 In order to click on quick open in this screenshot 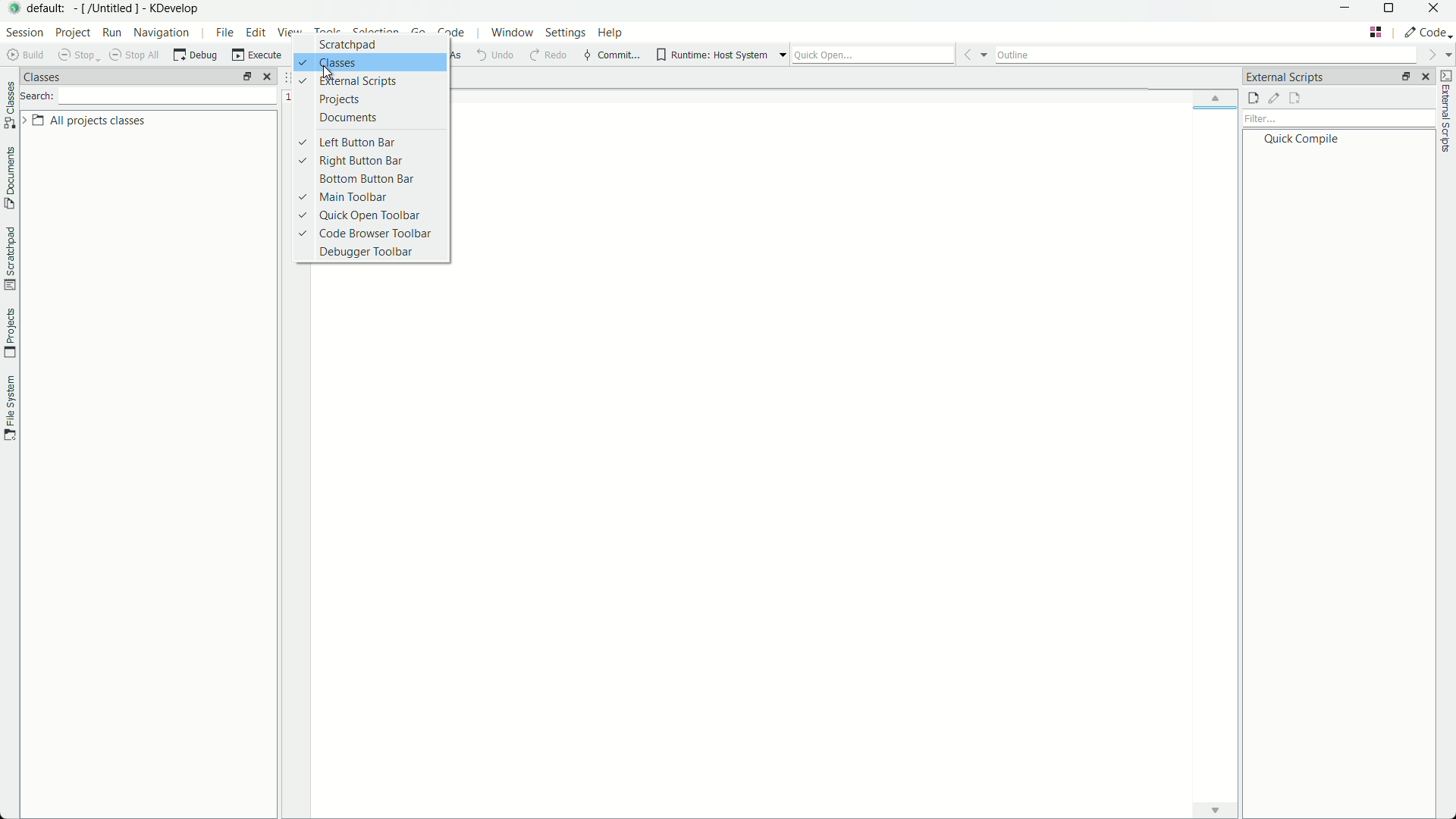, I will do `click(890, 53)`.